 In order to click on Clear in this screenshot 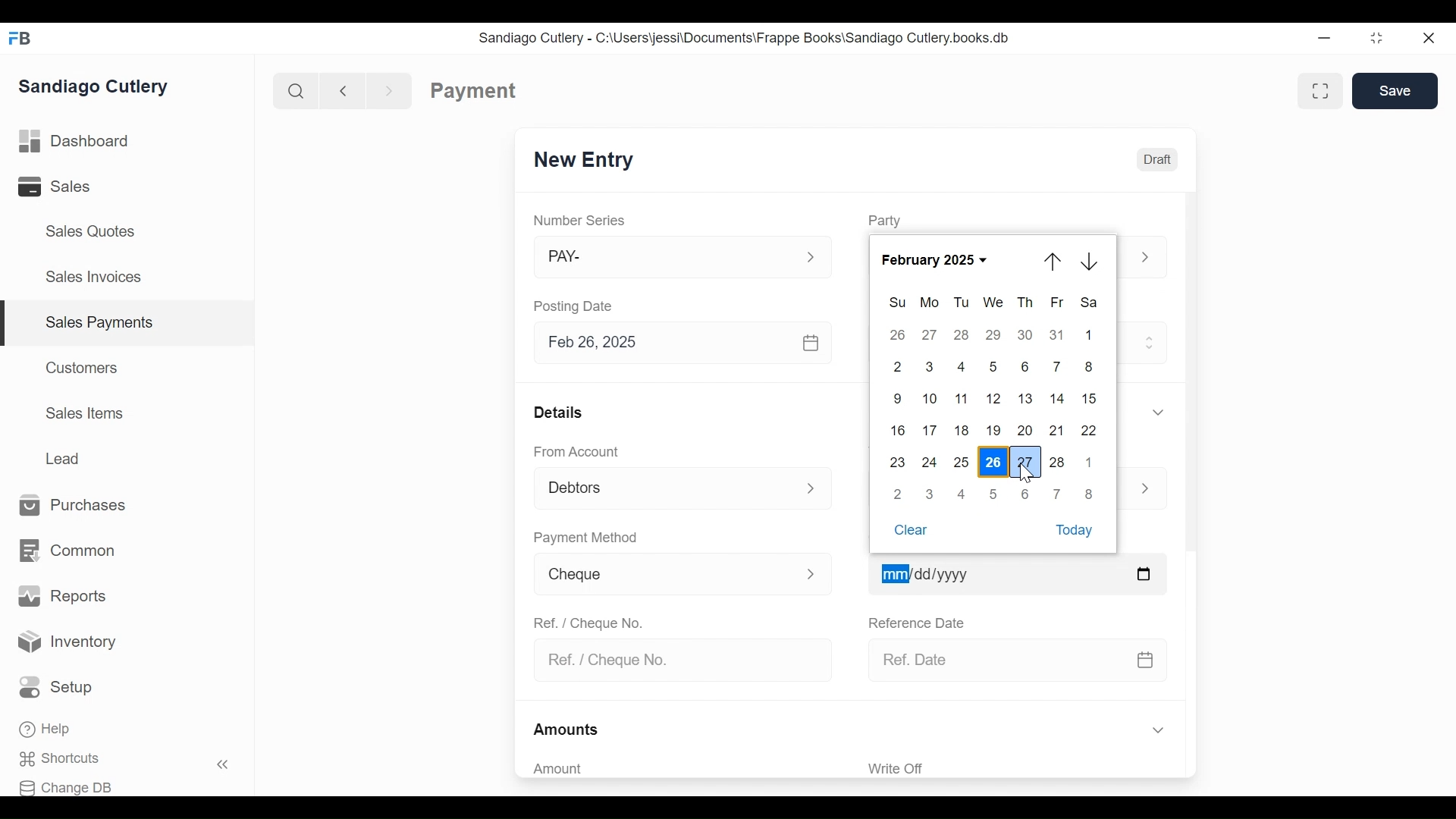, I will do `click(912, 532)`.